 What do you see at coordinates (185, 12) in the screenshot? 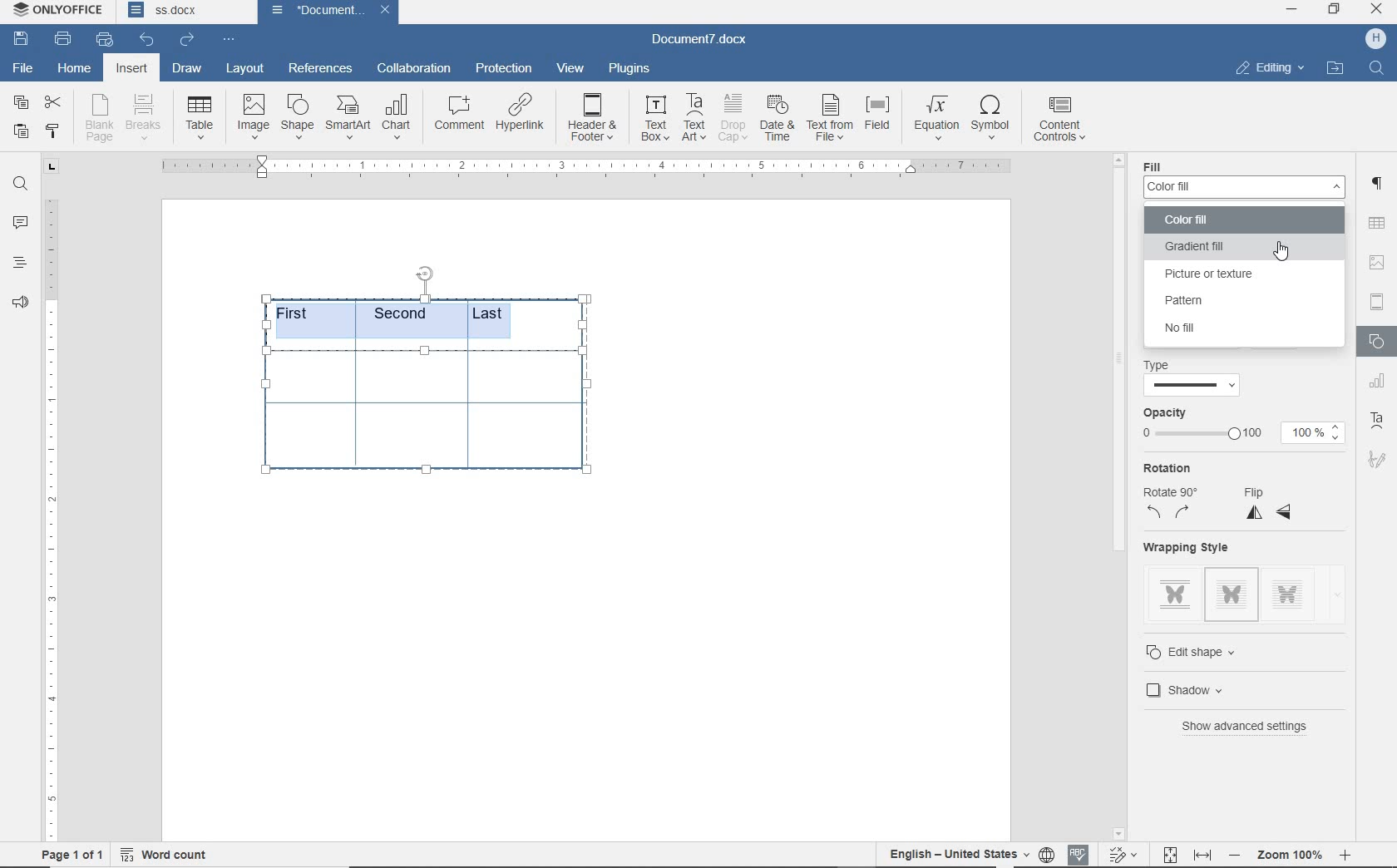
I see `document names` at bounding box center [185, 12].